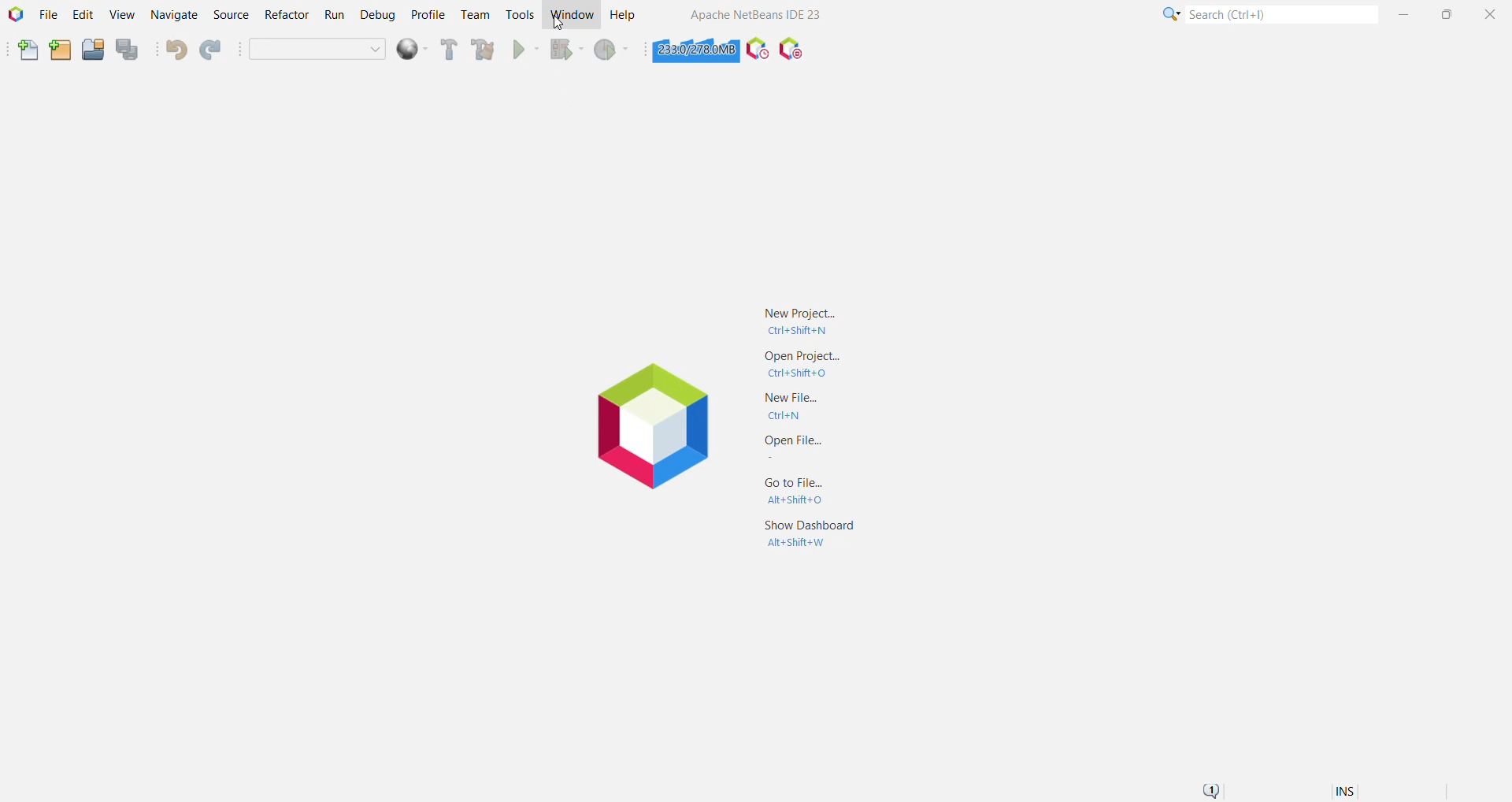 The image size is (1512, 802). What do you see at coordinates (624, 16) in the screenshot?
I see `Help` at bounding box center [624, 16].